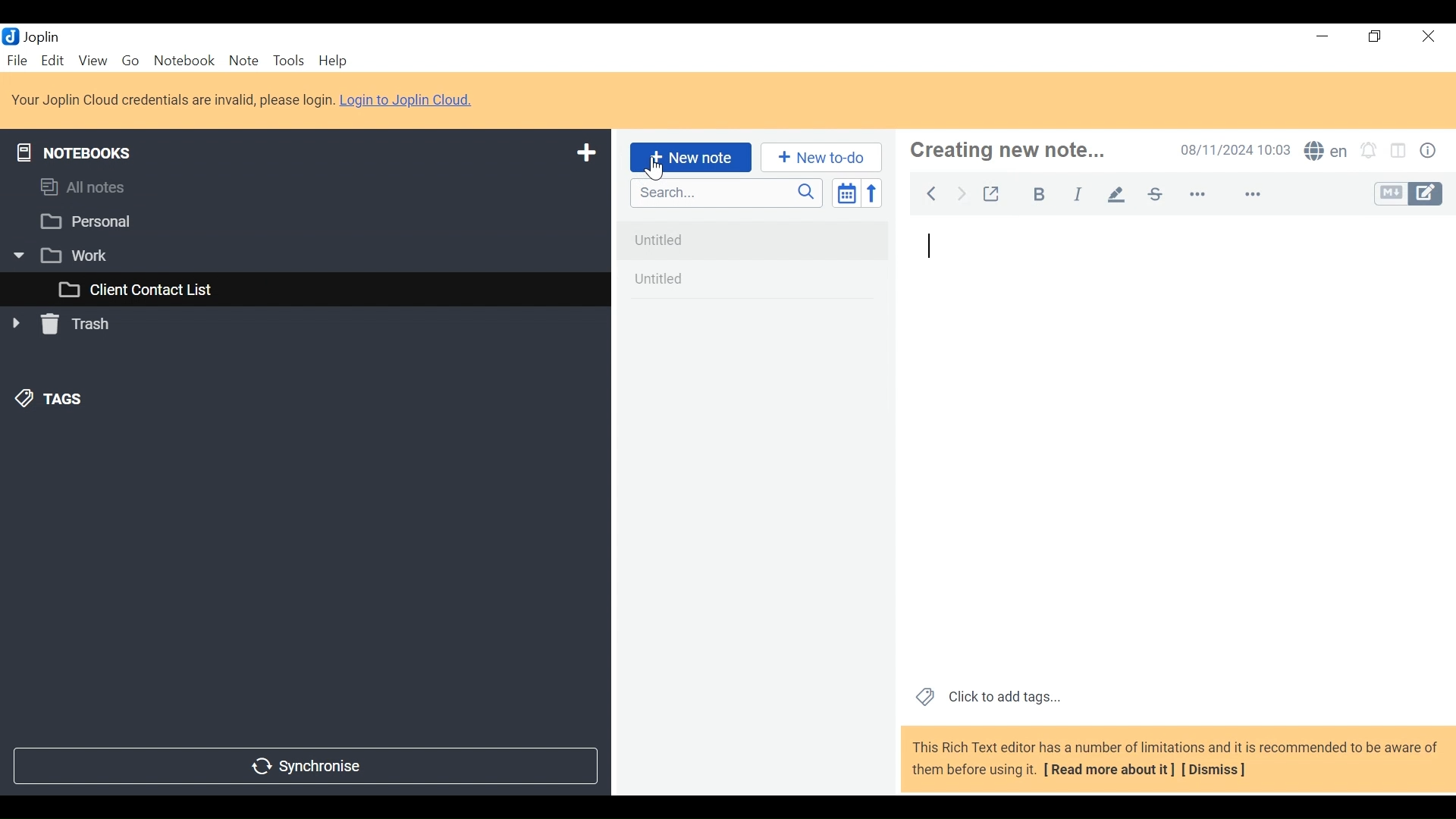  What do you see at coordinates (1402, 150) in the screenshot?
I see `Toggle editor layout` at bounding box center [1402, 150].